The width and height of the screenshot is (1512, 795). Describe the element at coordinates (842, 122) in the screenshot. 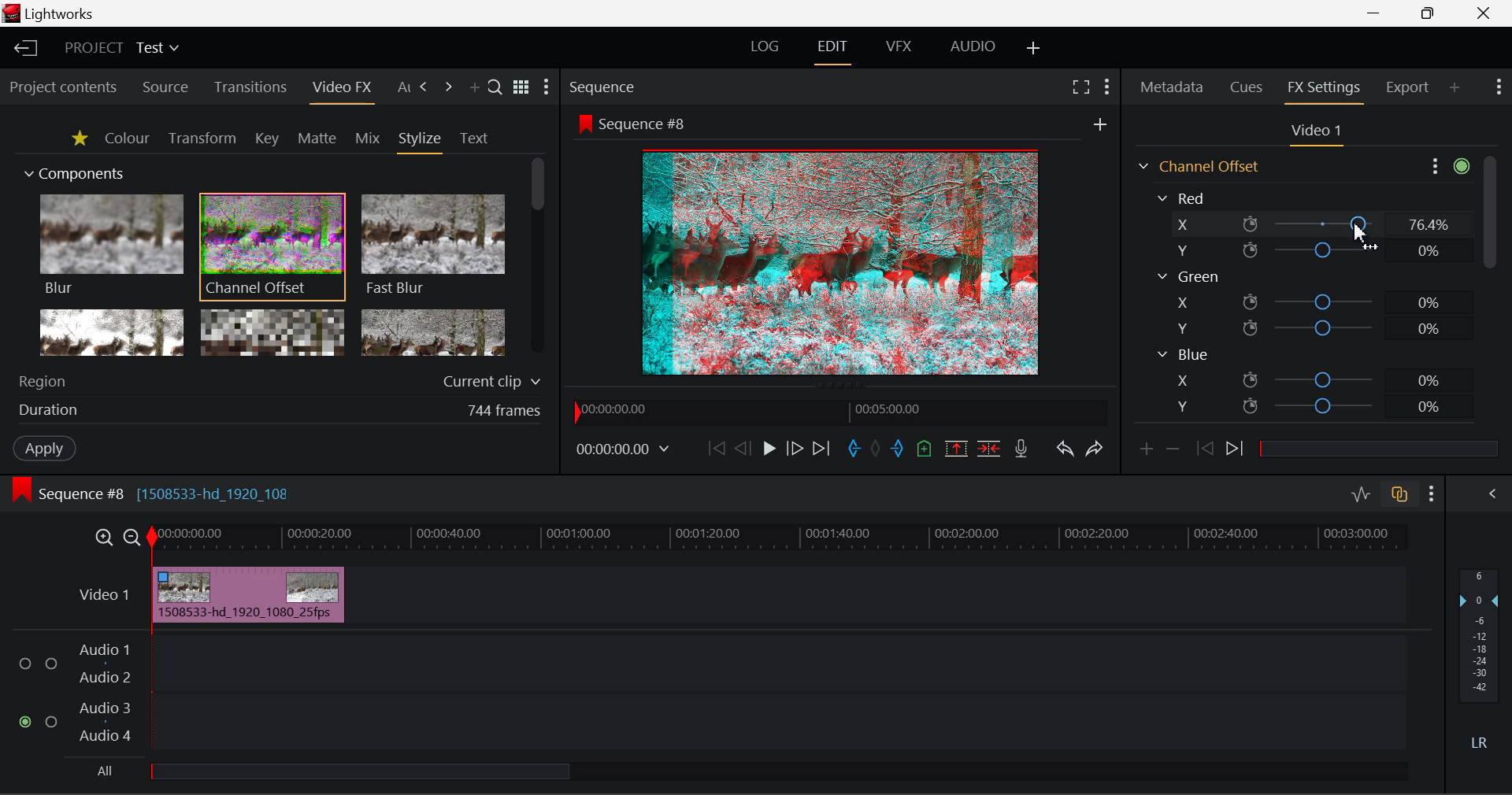

I see `Sequence Preview Screen Section` at that location.